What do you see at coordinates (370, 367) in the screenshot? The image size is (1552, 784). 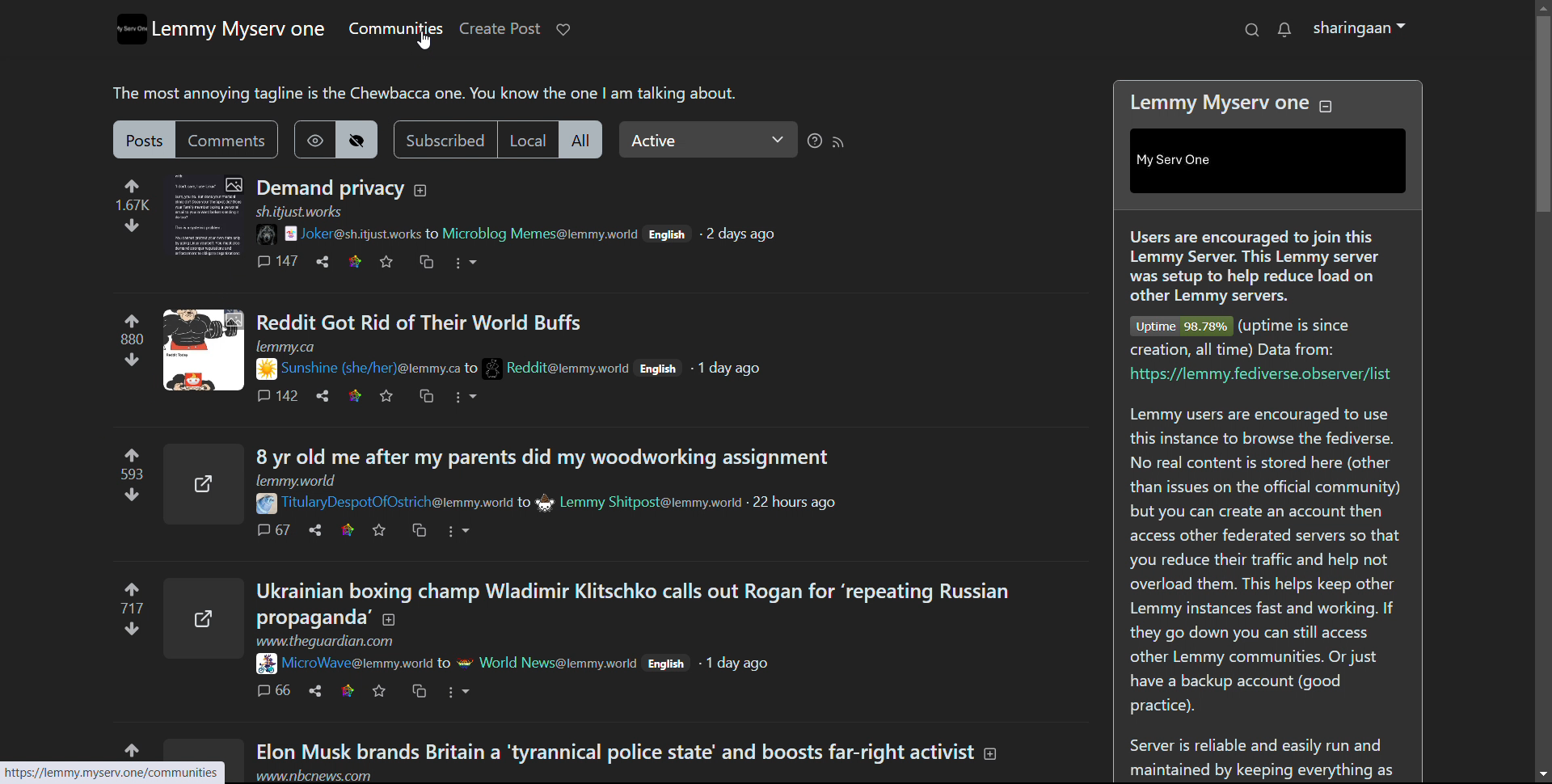 I see `username` at bounding box center [370, 367].